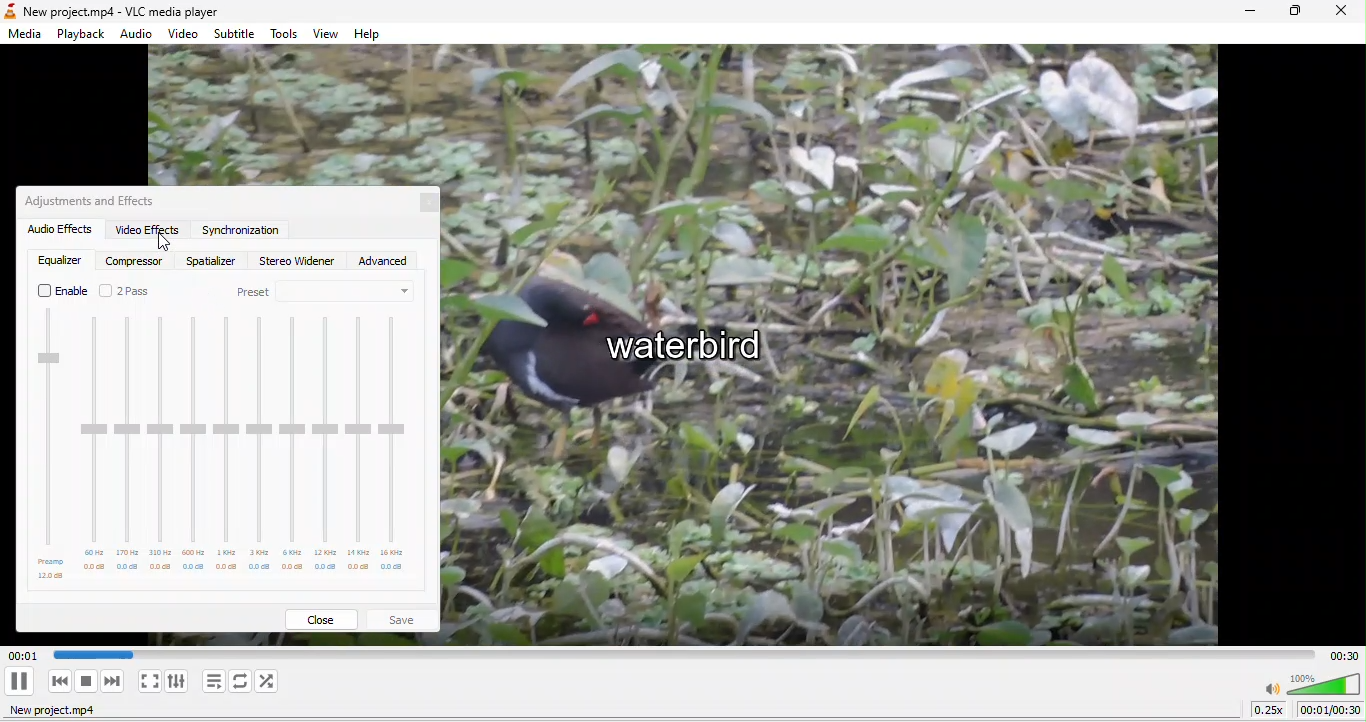 This screenshot has width=1366, height=722. What do you see at coordinates (180, 681) in the screenshot?
I see `show extended settings` at bounding box center [180, 681].